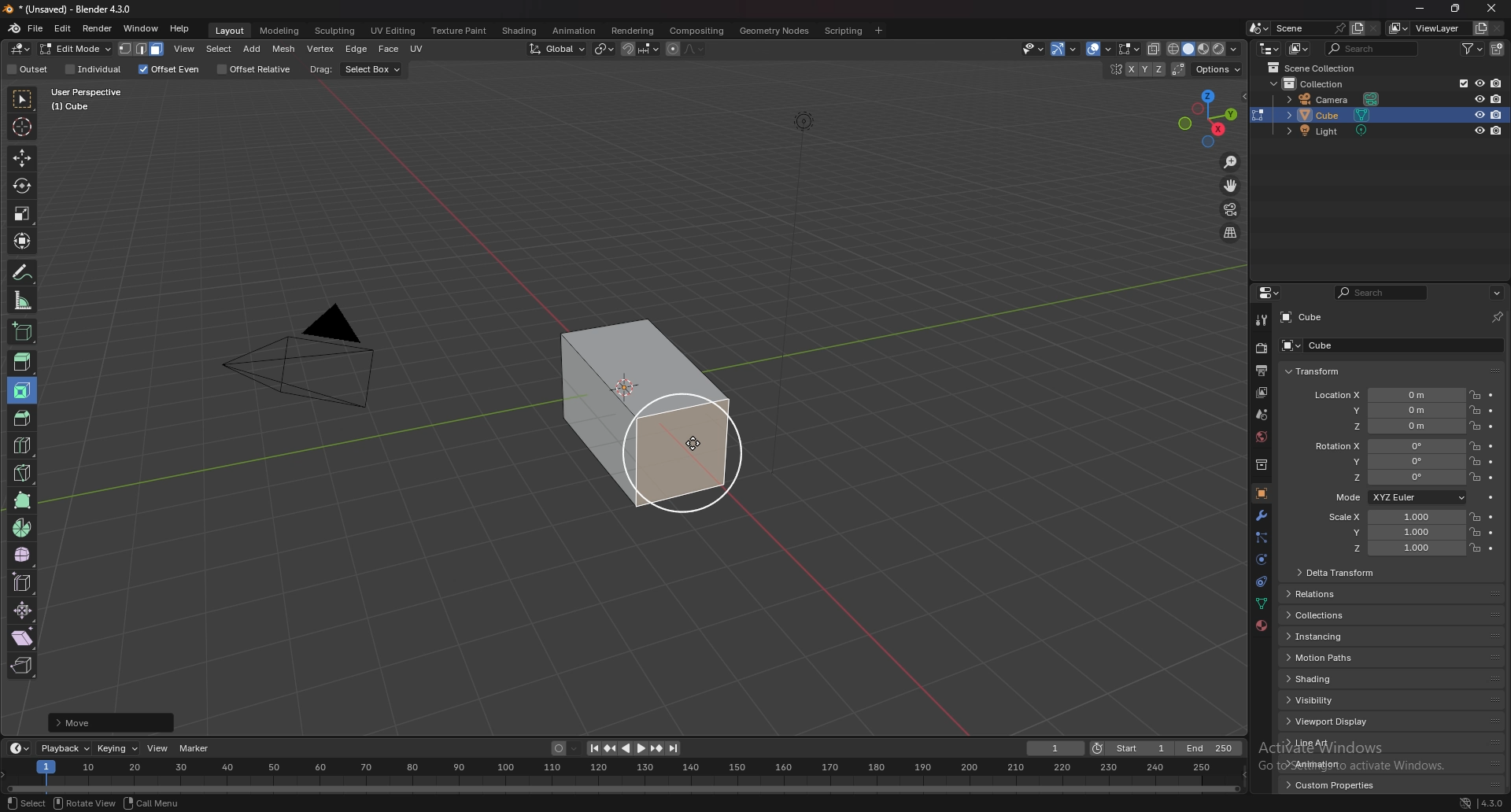 Image resolution: width=1511 pixels, height=812 pixels. I want to click on sculpting, so click(336, 31).